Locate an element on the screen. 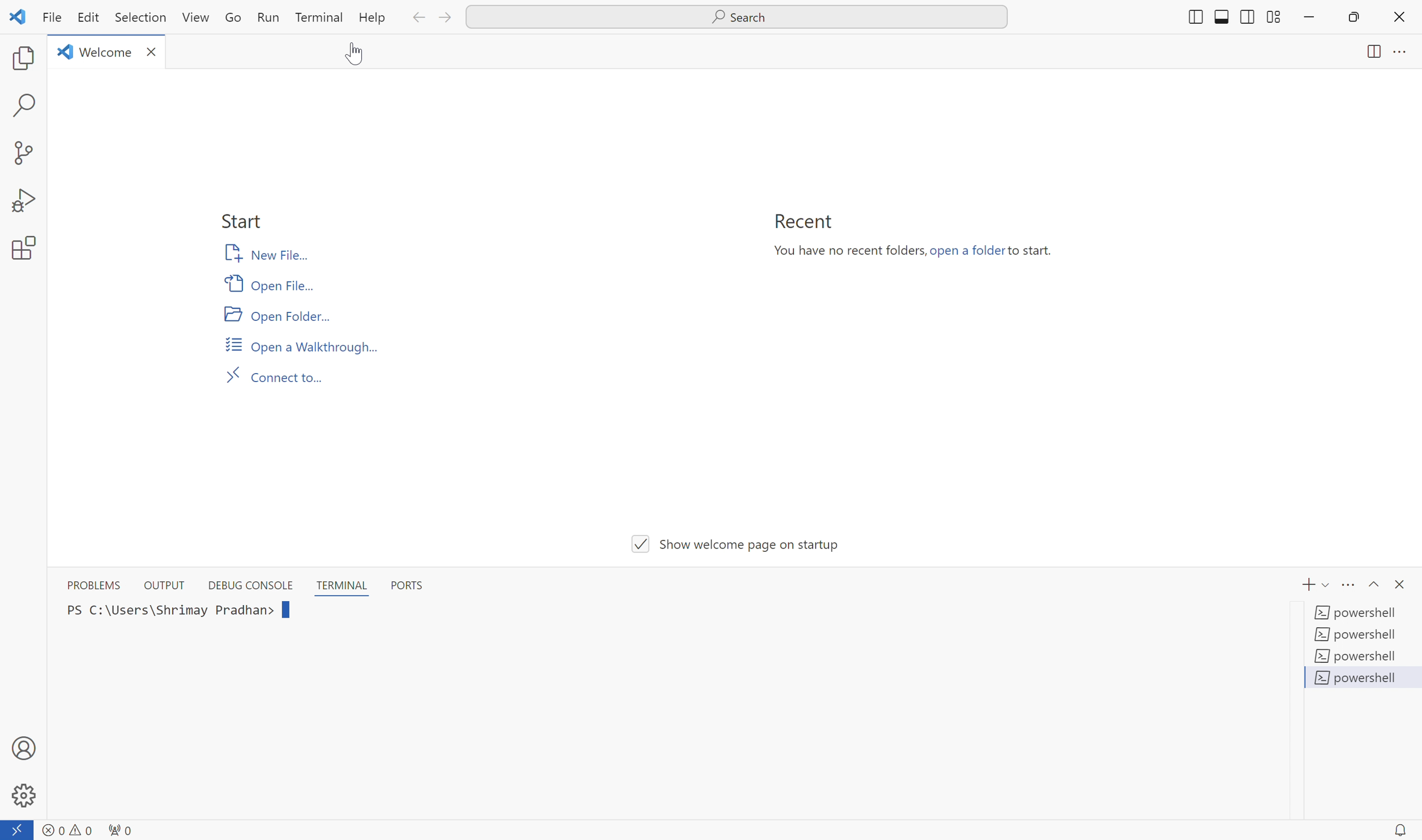 Image resolution: width=1422 pixels, height=840 pixels. add terminal is located at coordinates (1303, 584).